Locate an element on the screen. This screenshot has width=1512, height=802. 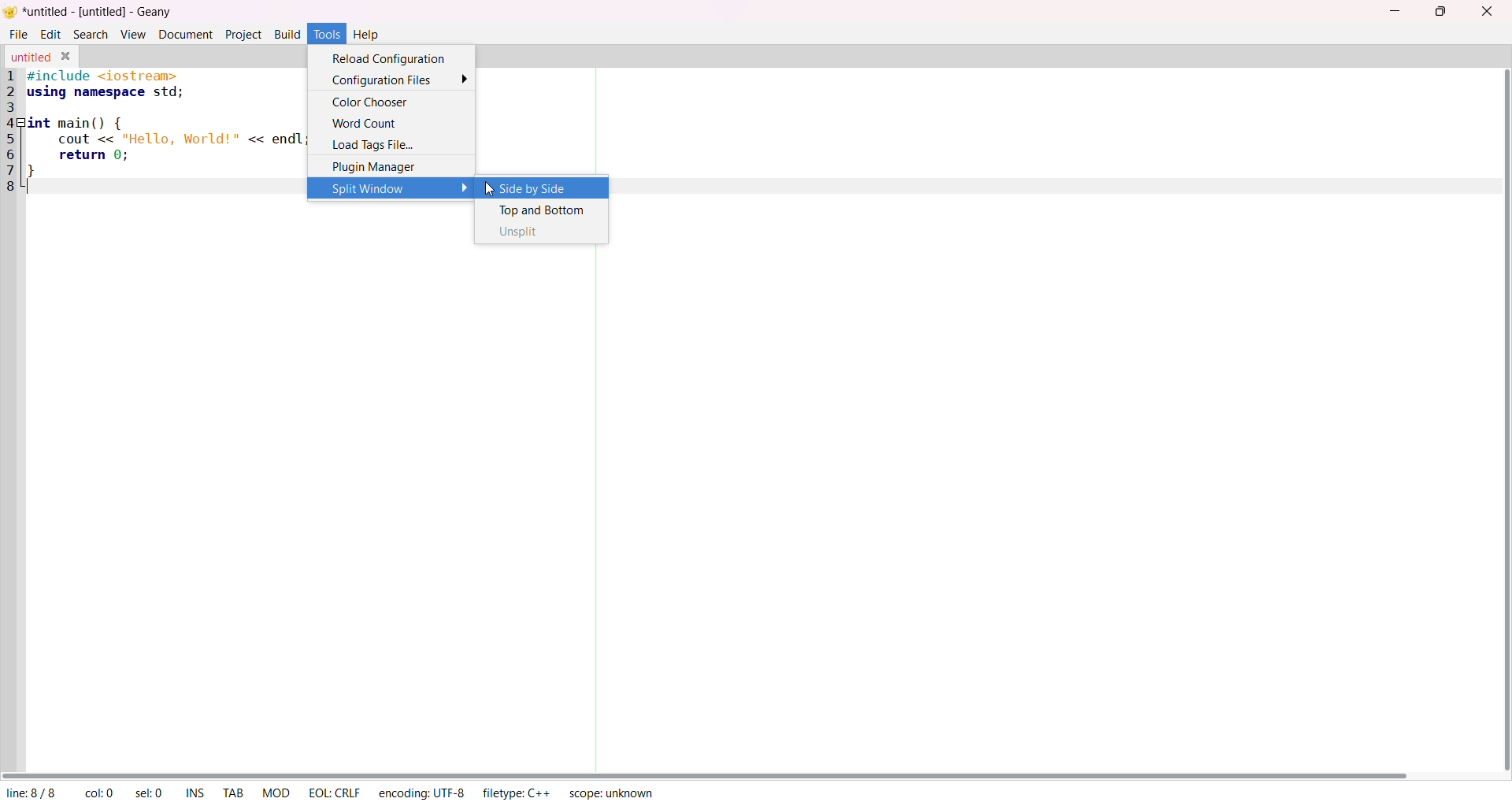
Unsplit is located at coordinates (527, 234).